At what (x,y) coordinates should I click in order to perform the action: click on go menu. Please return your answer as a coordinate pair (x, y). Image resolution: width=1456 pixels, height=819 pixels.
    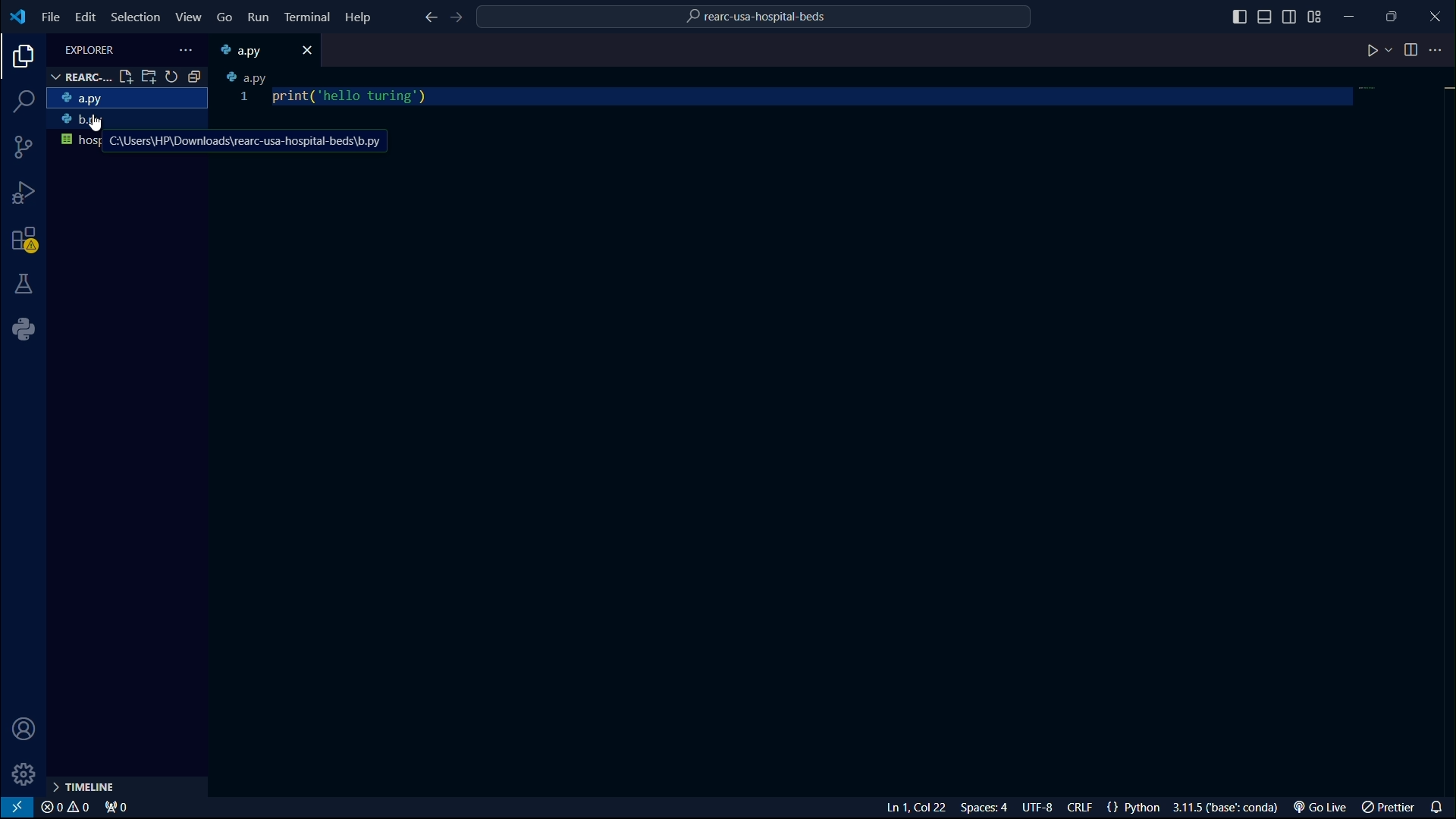
    Looking at the image, I should click on (226, 17).